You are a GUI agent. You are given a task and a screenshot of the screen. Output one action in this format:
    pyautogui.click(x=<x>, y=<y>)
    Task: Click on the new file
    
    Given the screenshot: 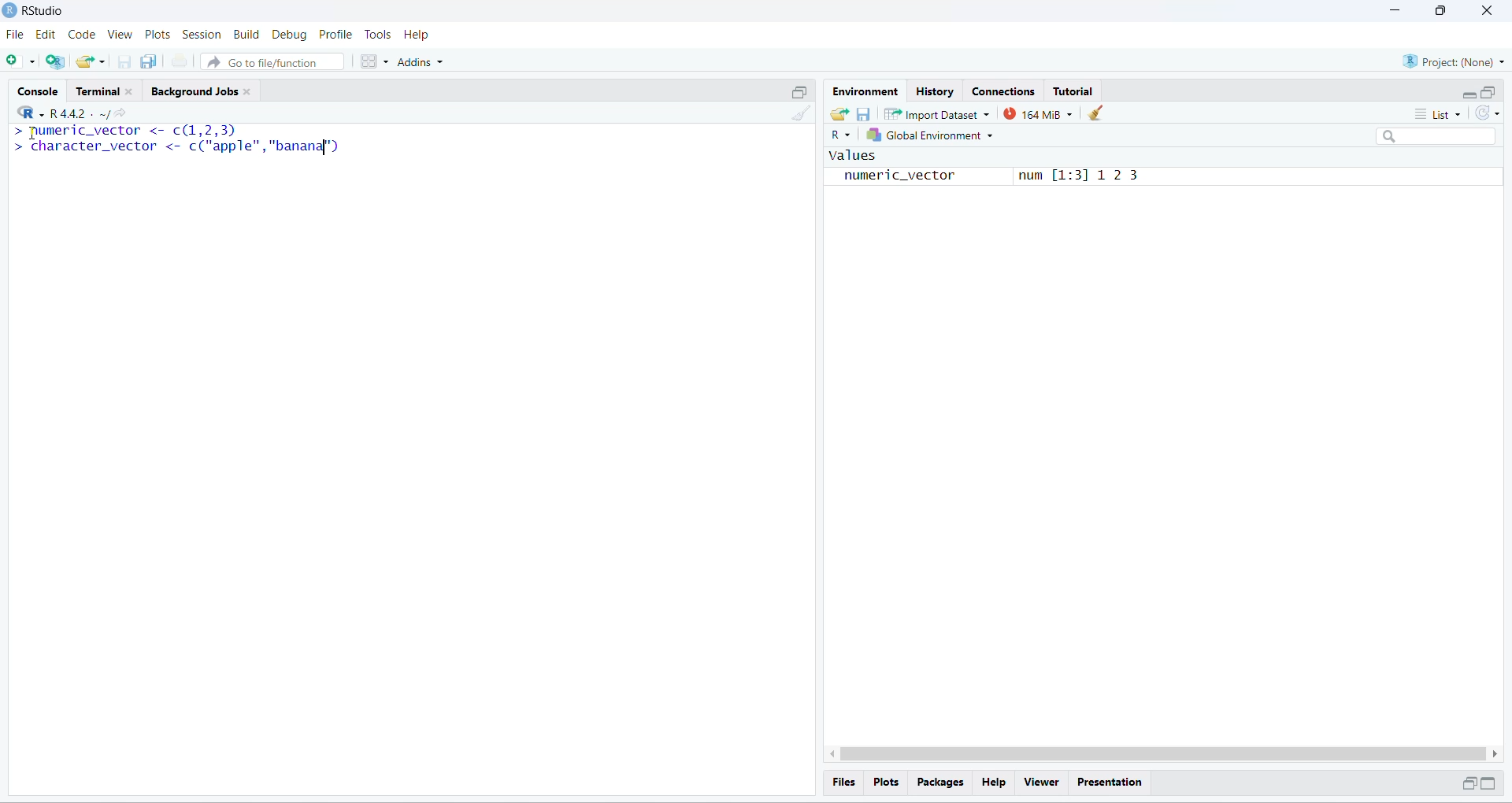 What is the action you would take?
    pyautogui.click(x=17, y=59)
    